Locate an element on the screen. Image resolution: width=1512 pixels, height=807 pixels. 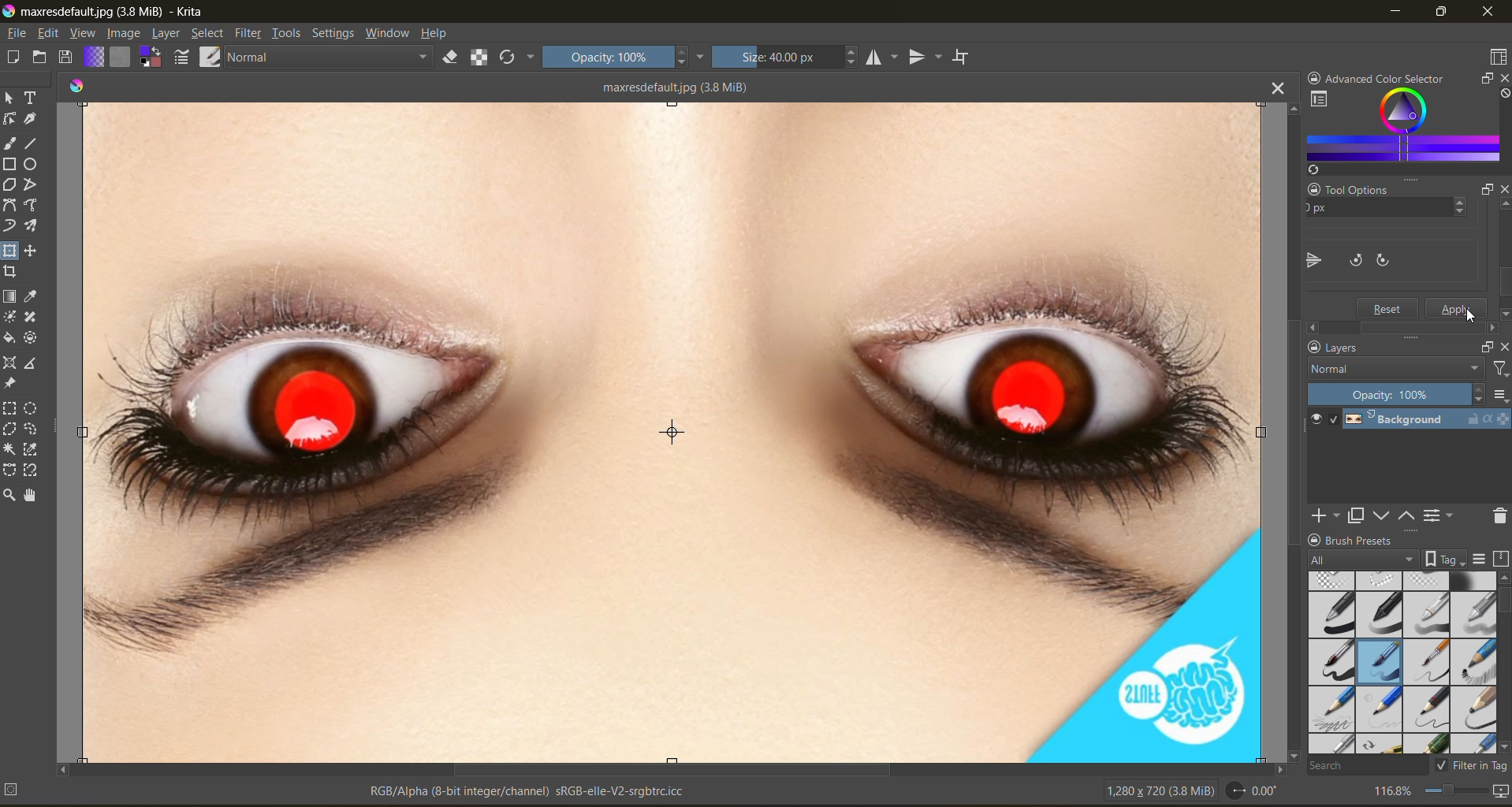
choose brush preset is located at coordinates (209, 57).